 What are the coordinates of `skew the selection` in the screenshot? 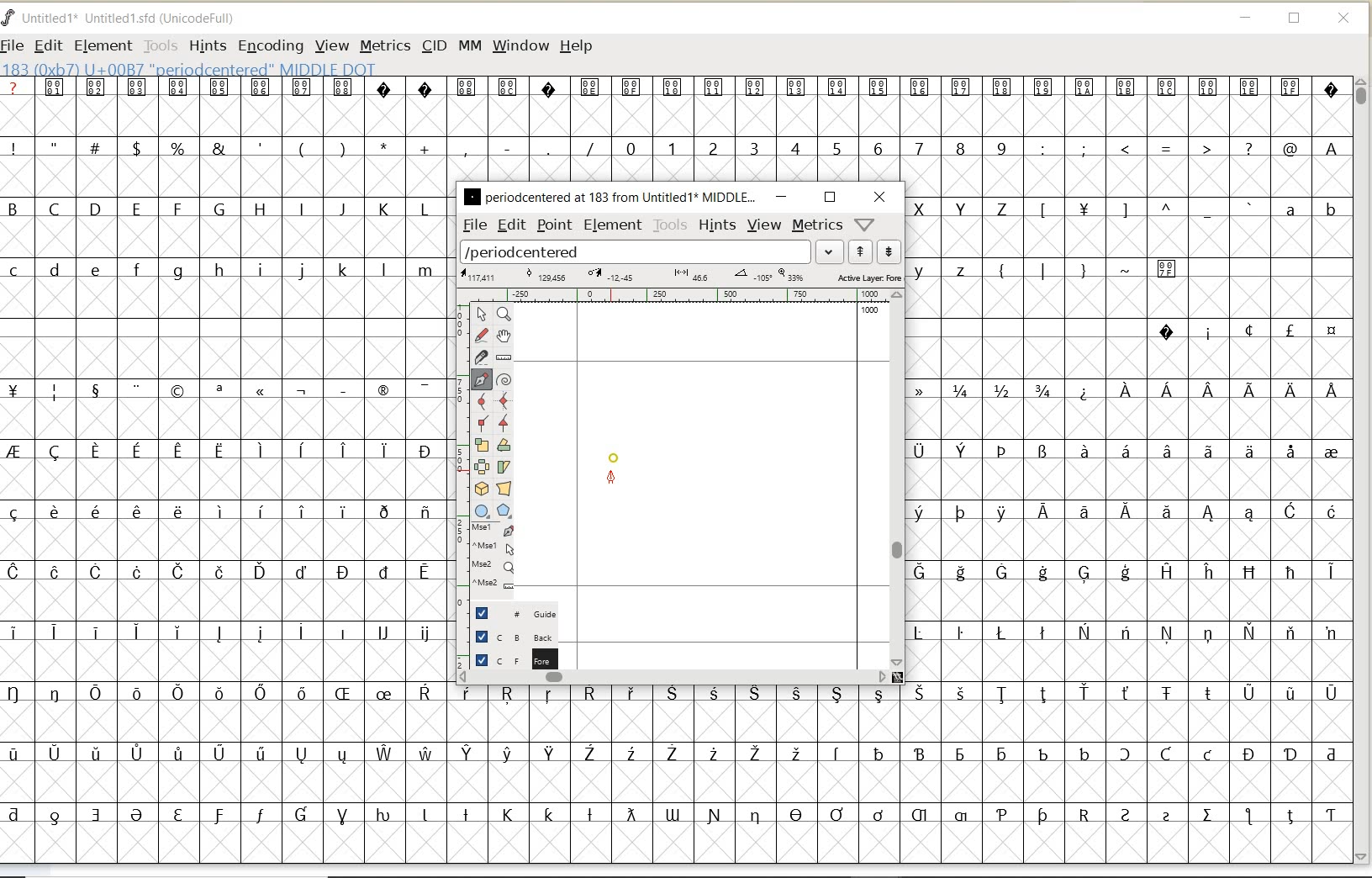 It's located at (504, 465).